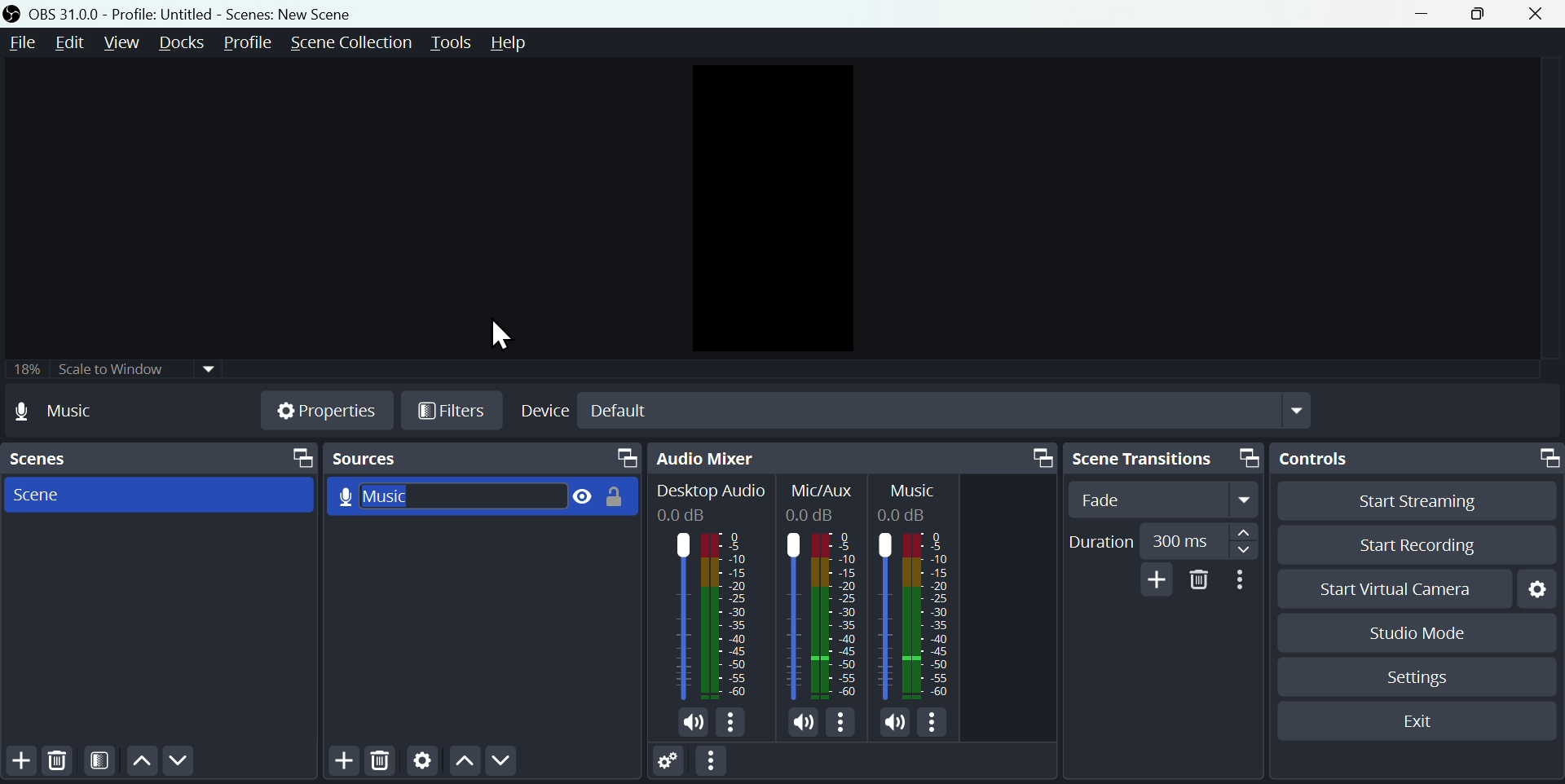 Image resolution: width=1565 pixels, height=784 pixels. Describe the element at coordinates (1243, 580) in the screenshot. I see `More options` at that location.